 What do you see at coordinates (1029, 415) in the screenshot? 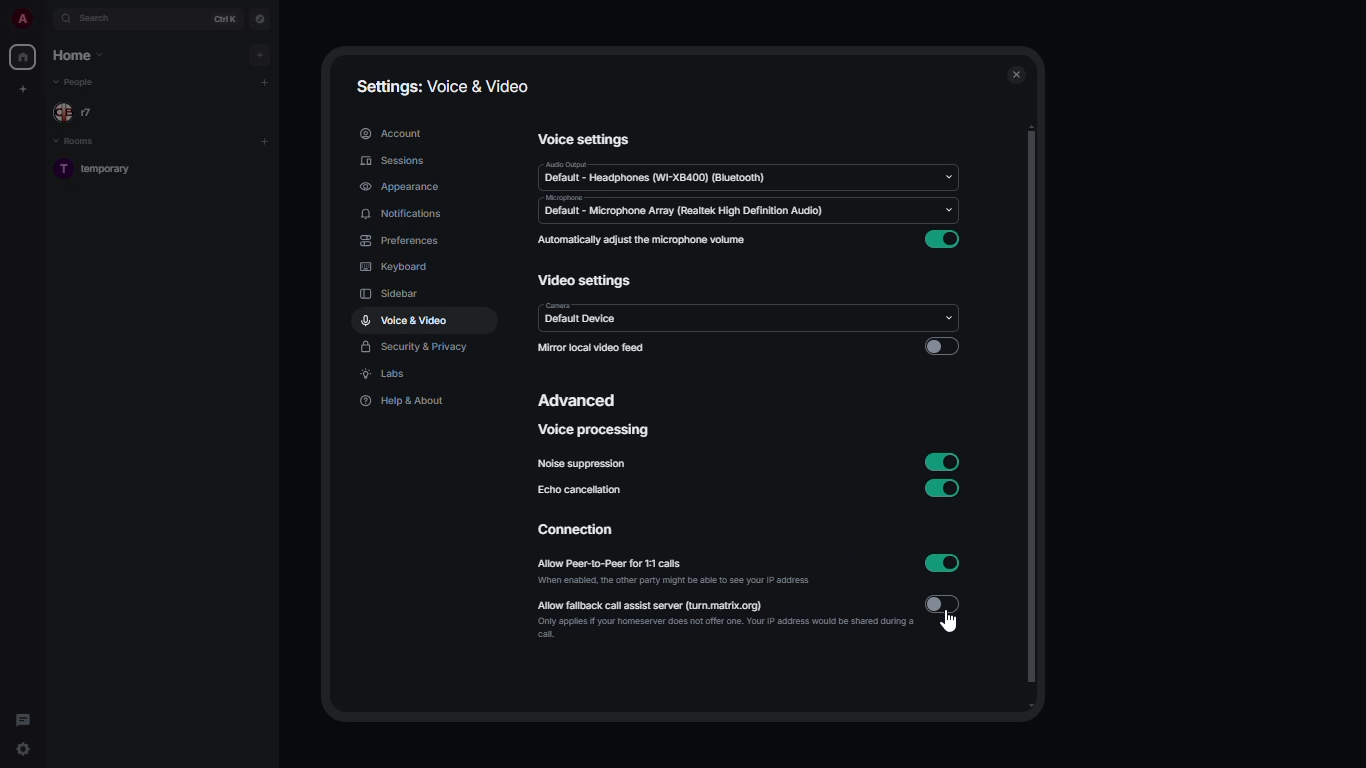
I see `scroll bar` at bounding box center [1029, 415].